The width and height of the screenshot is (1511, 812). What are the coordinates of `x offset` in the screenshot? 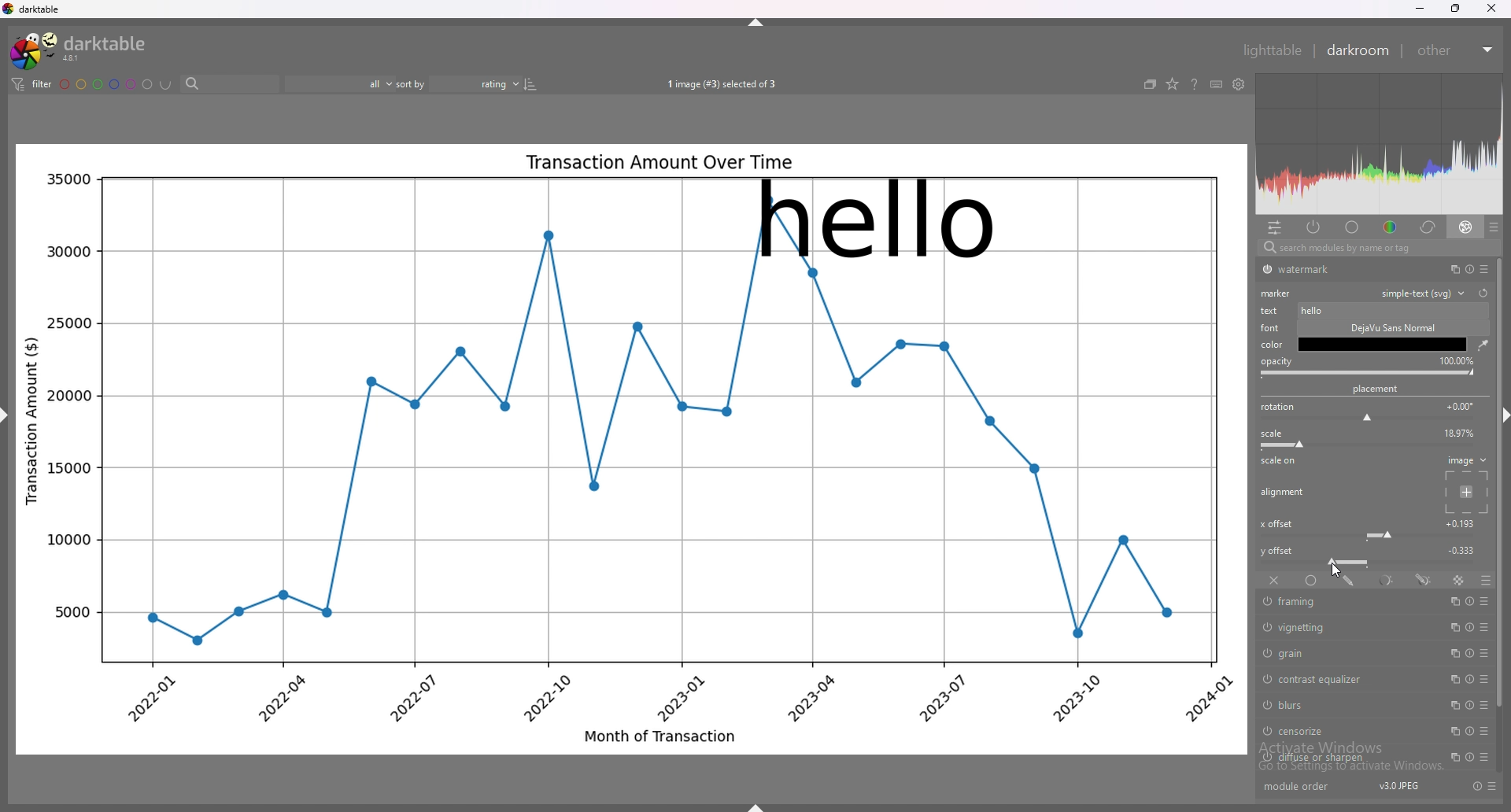 It's located at (1462, 522).